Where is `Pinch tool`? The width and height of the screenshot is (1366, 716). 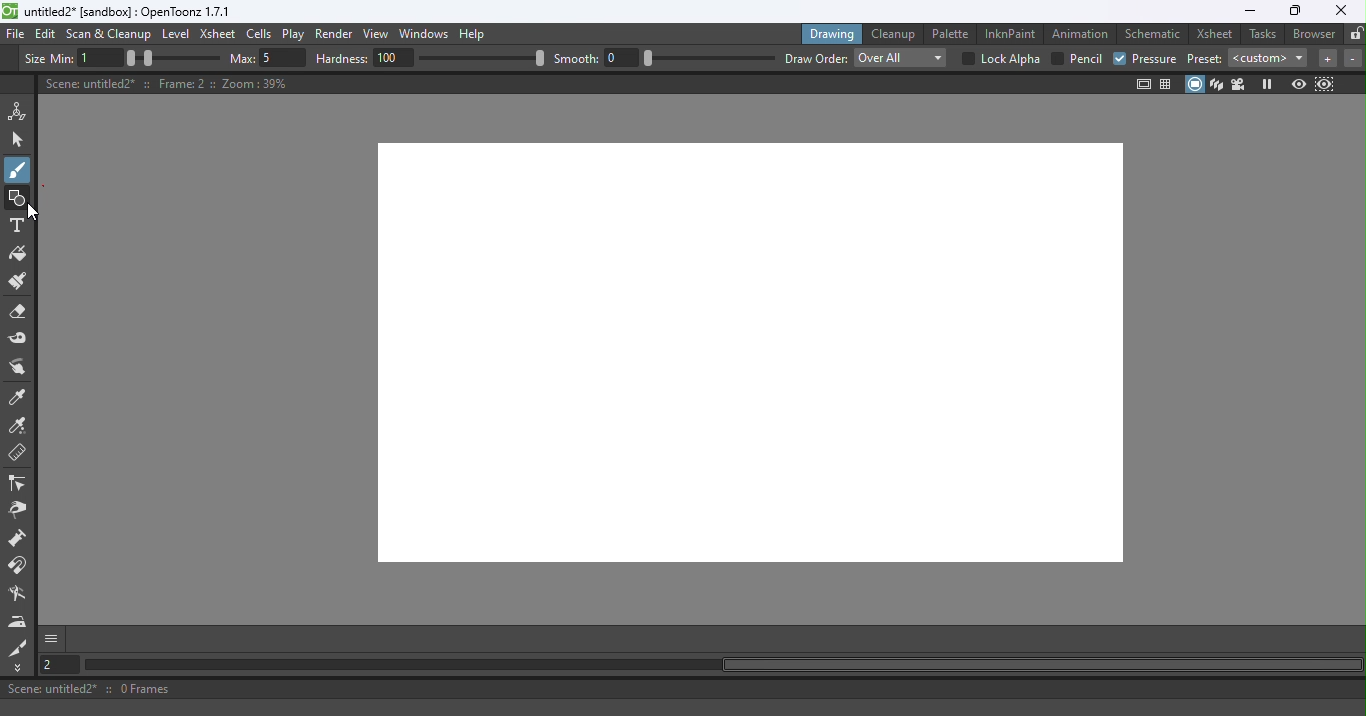 Pinch tool is located at coordinates (17, 513).